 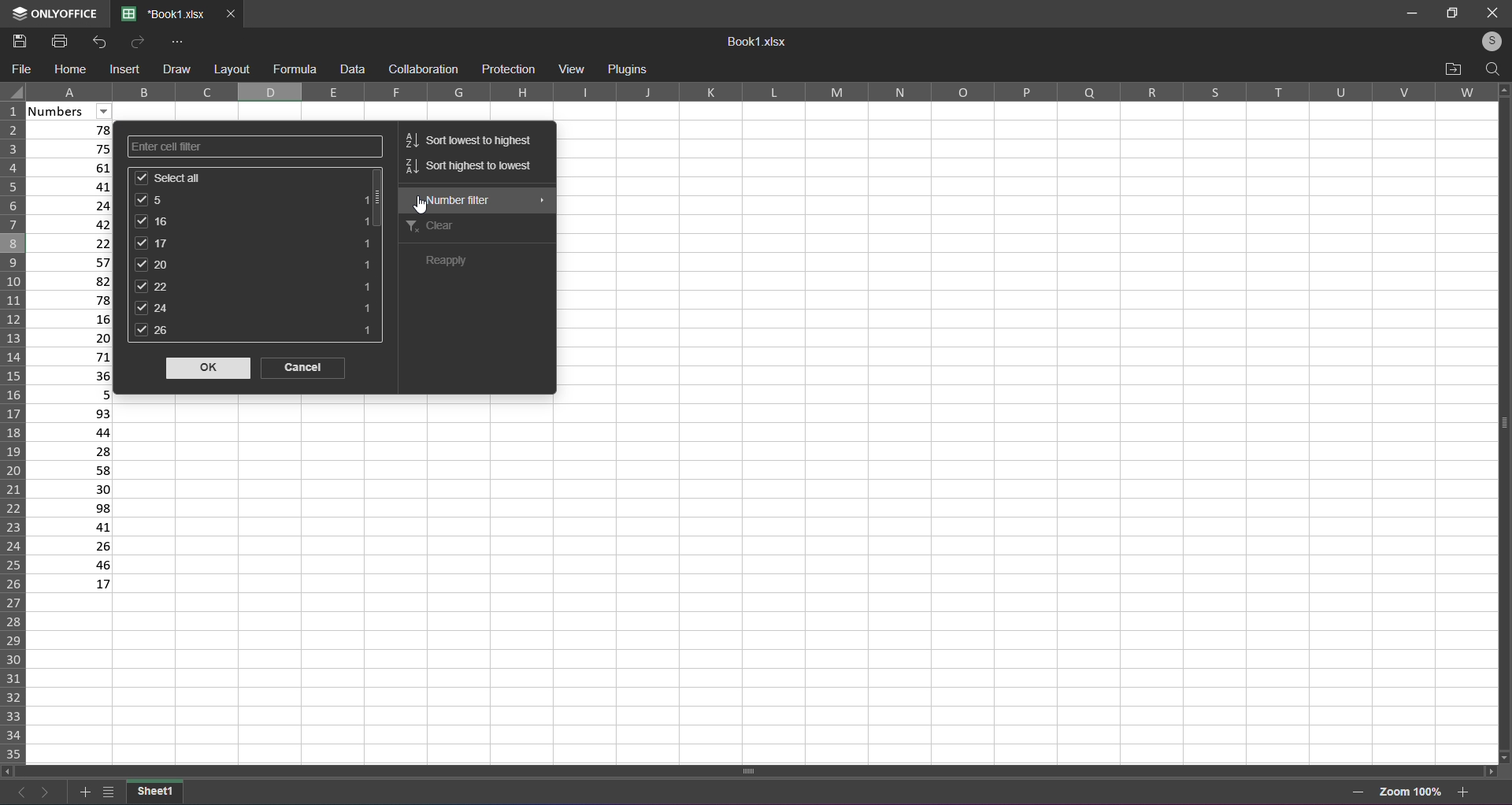 I want to click on sort highest to lowest, so click(x=469, y=170).